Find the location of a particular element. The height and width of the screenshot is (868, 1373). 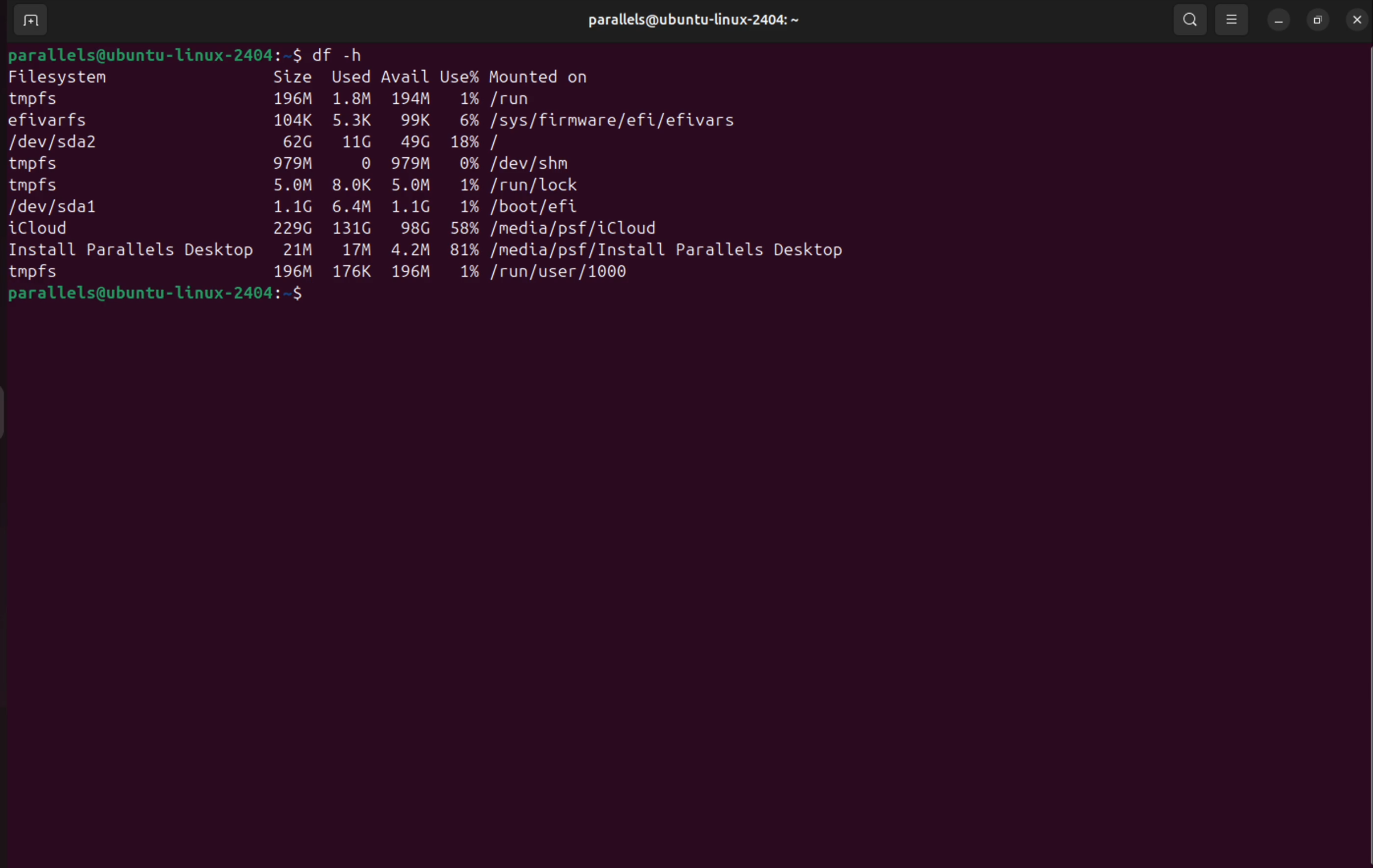

resize is located at coordinates (1320, 21).